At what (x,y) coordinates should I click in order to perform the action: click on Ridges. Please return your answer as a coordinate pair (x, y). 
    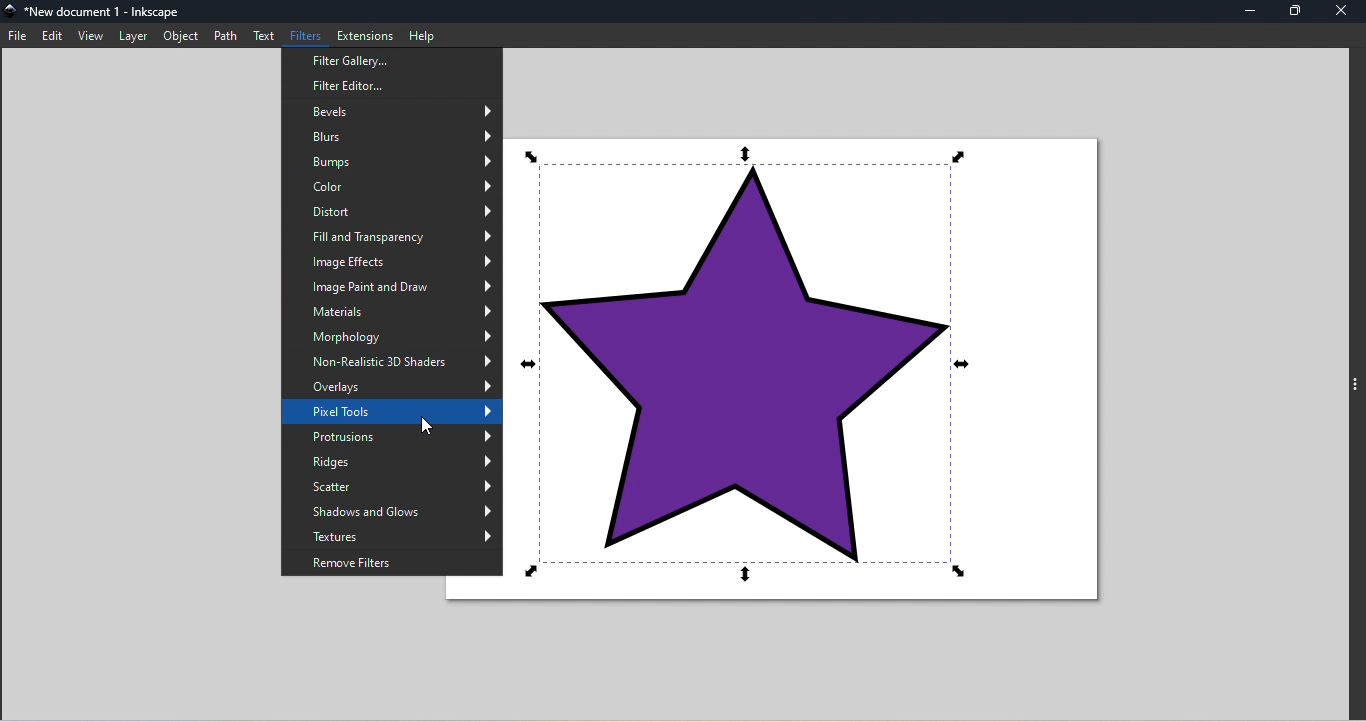
    Looking at the image, I should click on (388, 462).